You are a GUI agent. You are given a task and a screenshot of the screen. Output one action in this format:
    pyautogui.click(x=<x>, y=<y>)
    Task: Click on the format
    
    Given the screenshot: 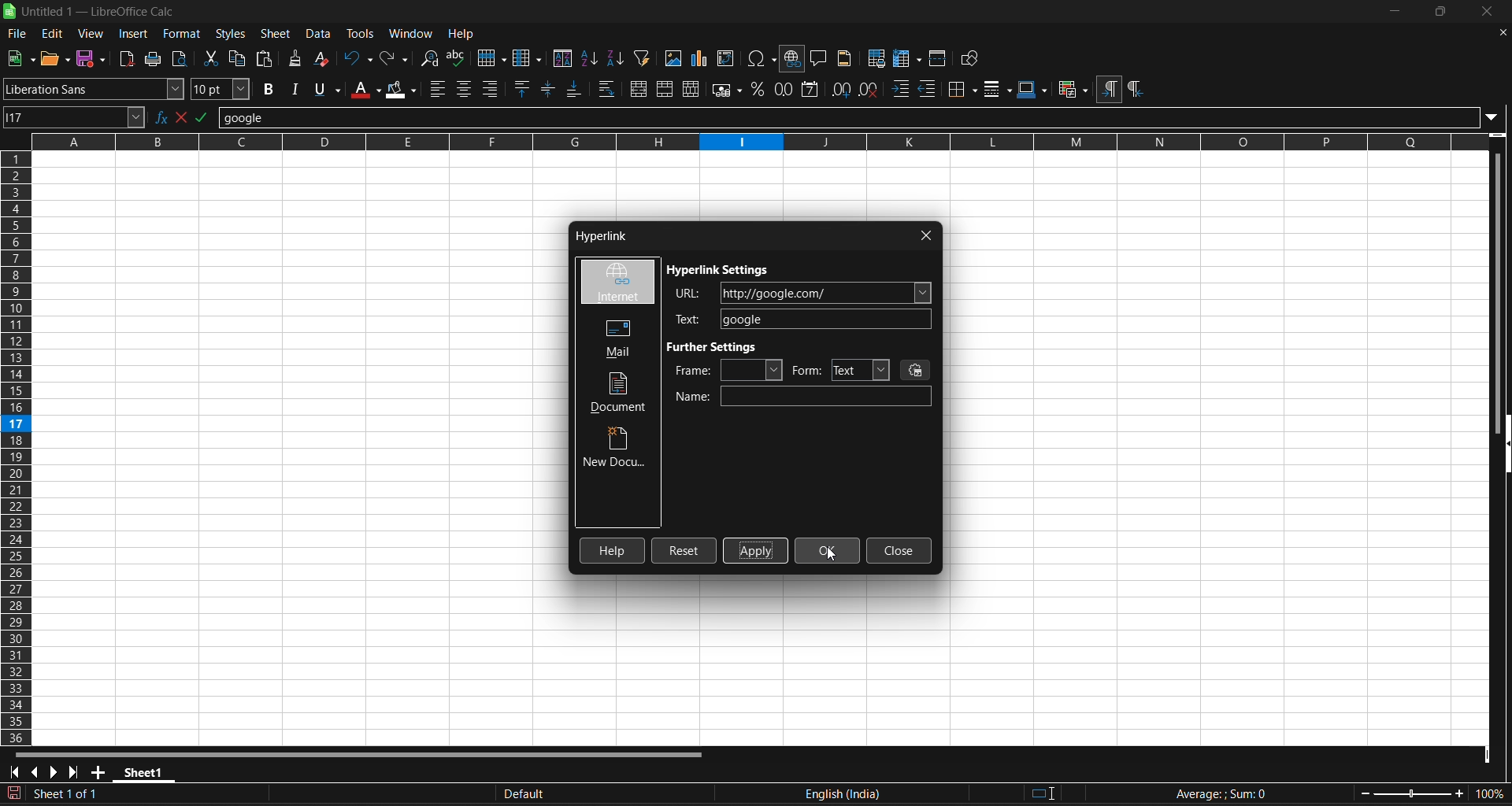 What is the action you would take?
    pyautogui.click(x=180, y=34)
    